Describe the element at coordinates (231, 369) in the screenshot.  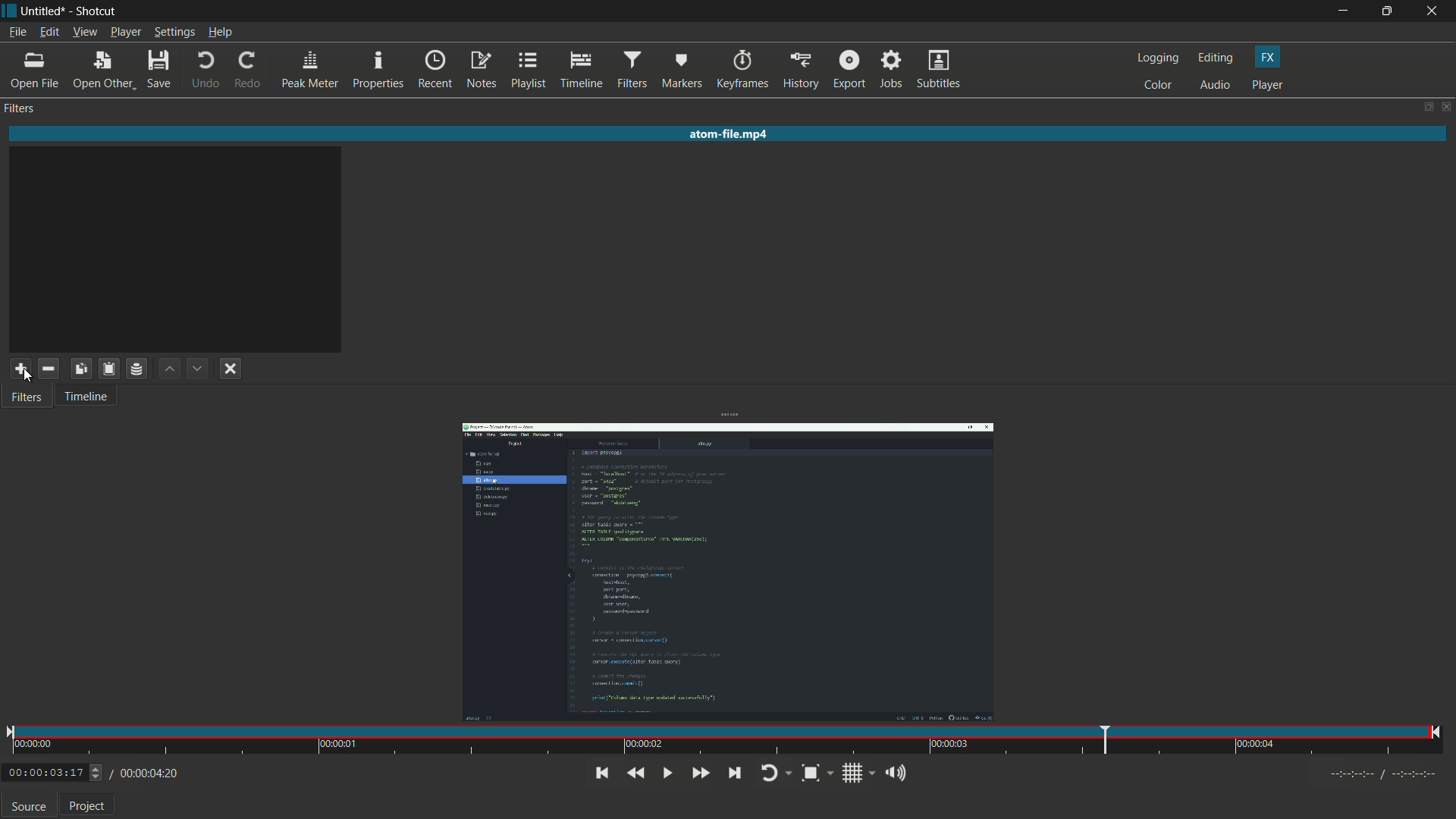
I see `deselect filter` at that location.